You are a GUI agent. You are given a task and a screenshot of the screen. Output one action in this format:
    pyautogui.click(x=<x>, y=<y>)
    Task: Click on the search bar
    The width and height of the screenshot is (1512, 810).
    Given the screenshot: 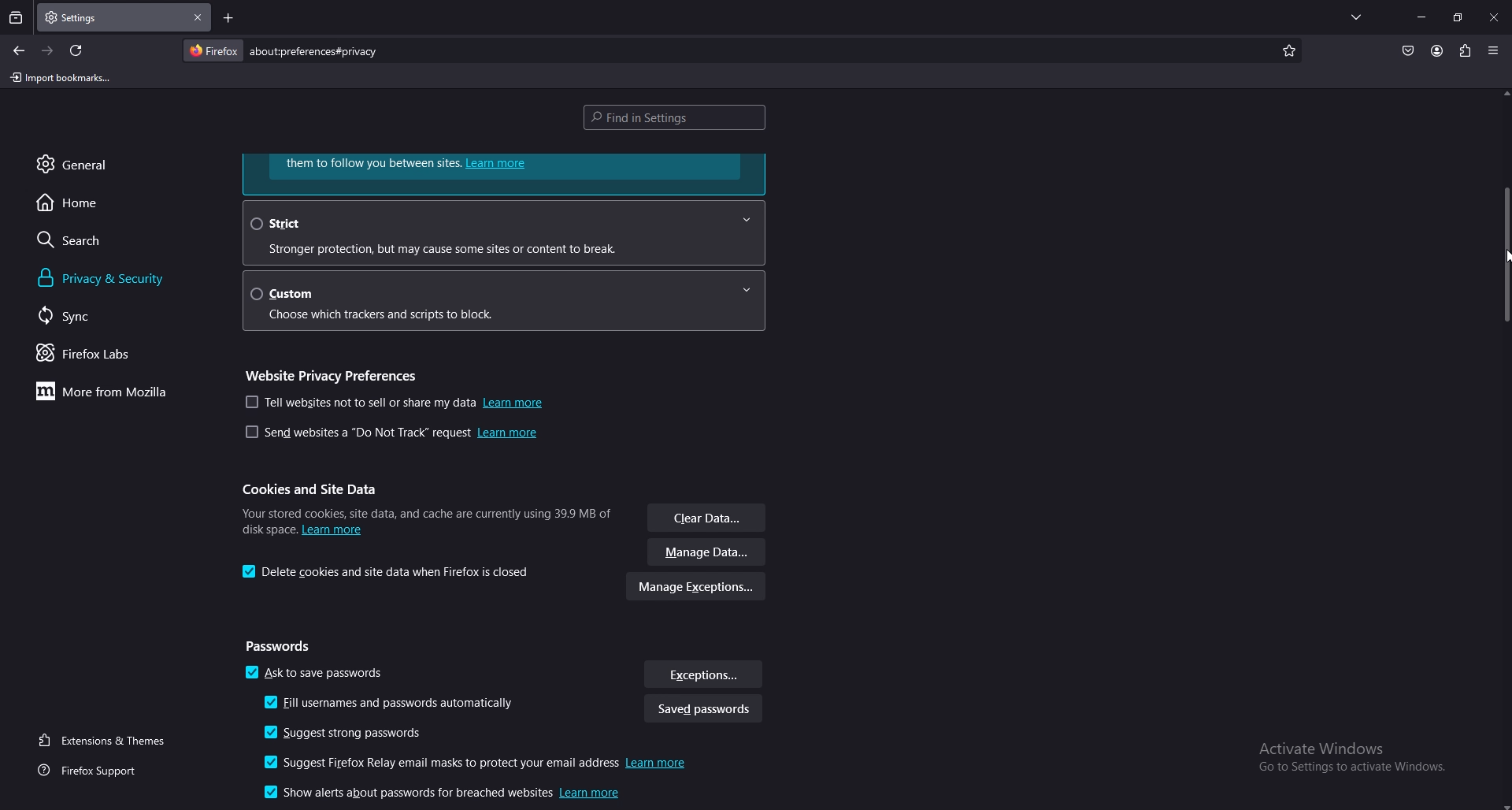 What is the action you would take?
    pyautogui.click(x=318, y=51)
    